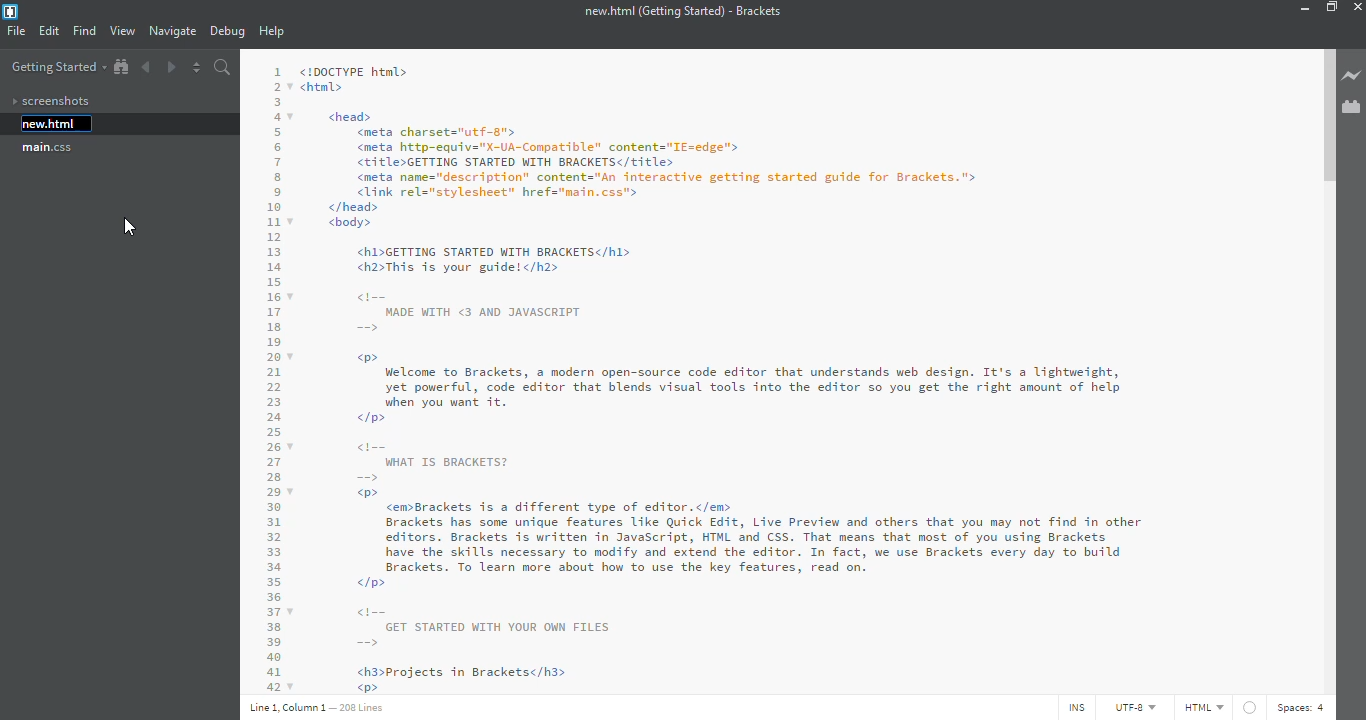  I want to click on scroll bar, so click(1326, 119).